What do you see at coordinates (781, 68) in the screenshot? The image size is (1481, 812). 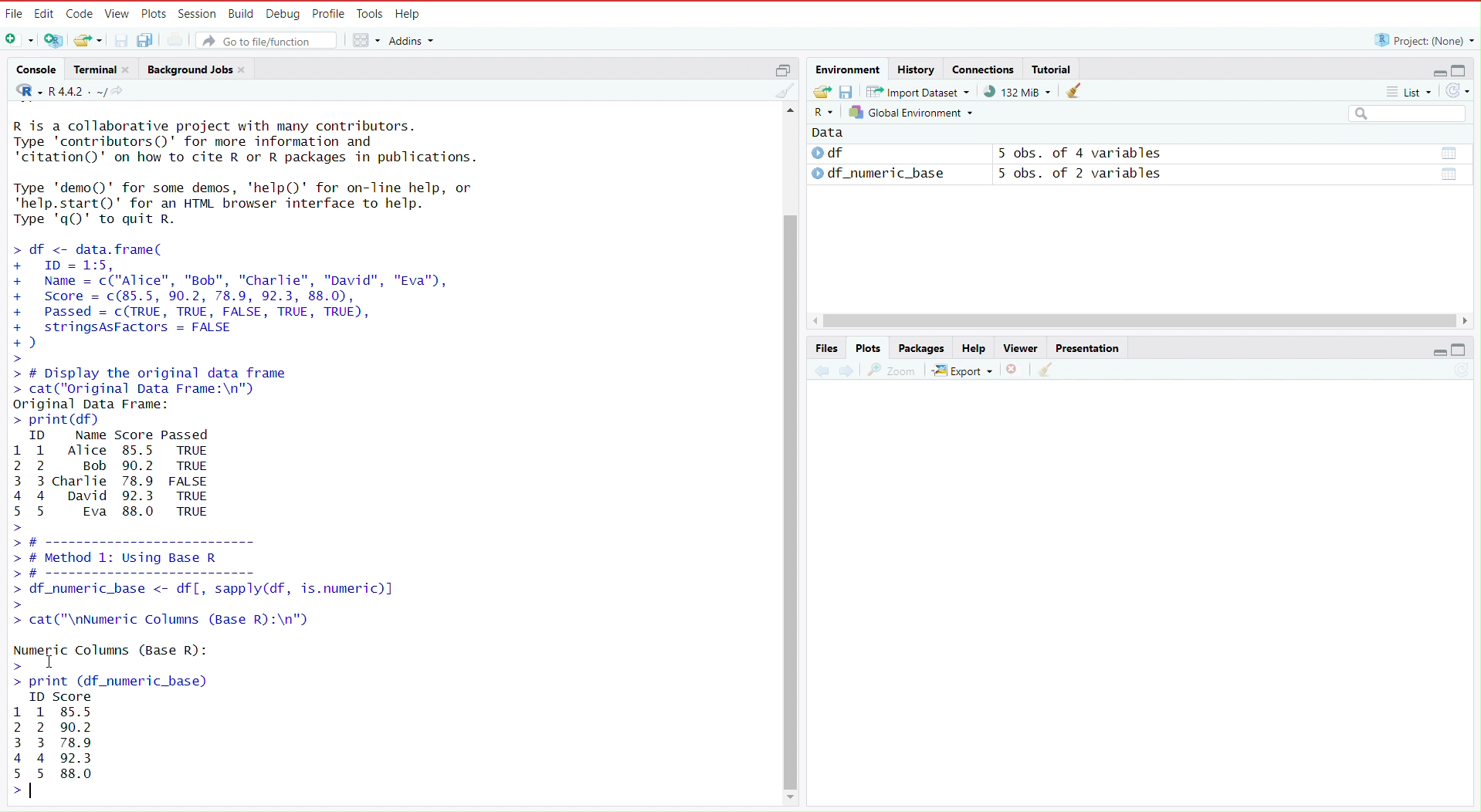 I see `maximize` at bounding box center [781, 68].